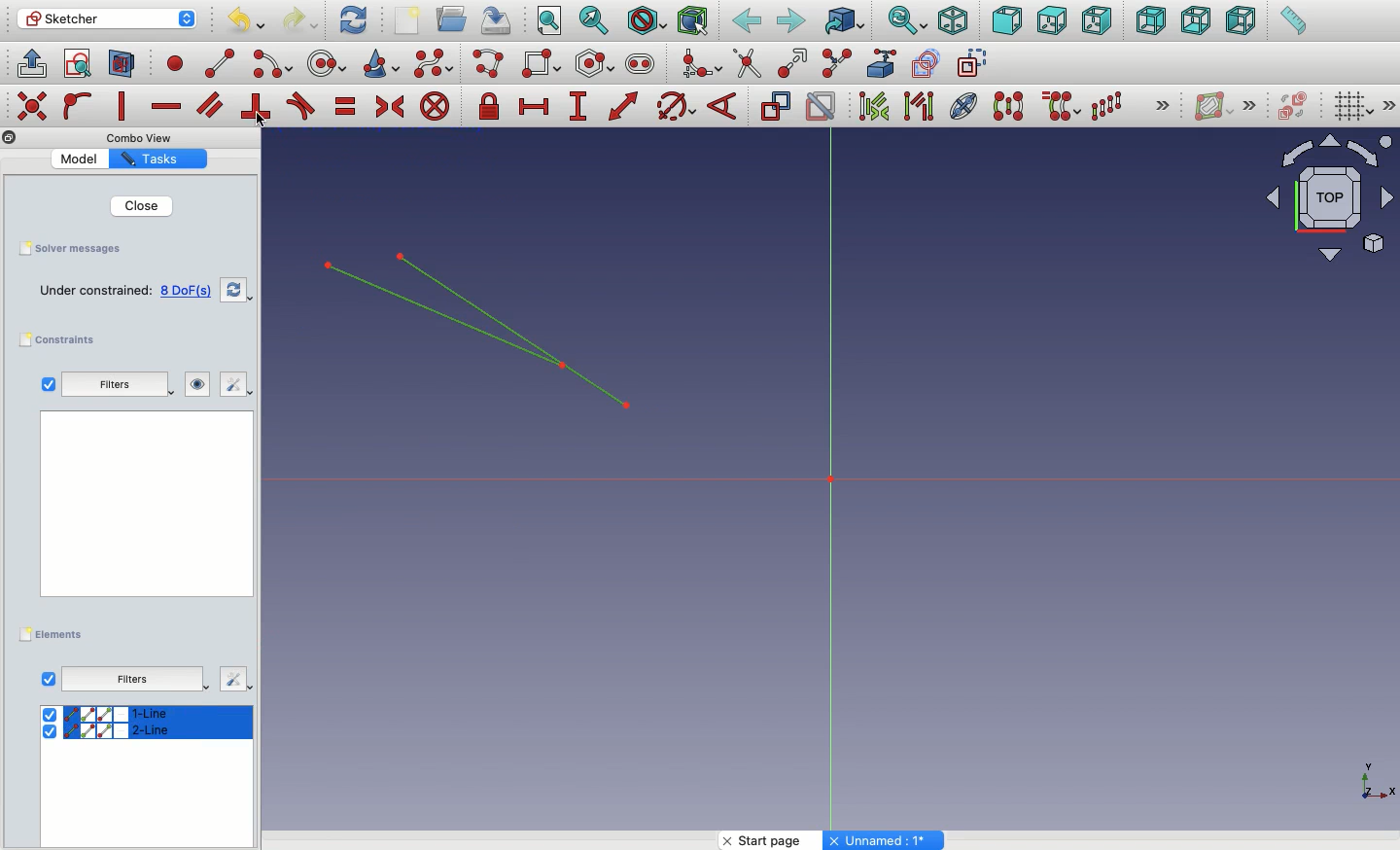 This screenshot has height=850, width=1400. What do you see at coordinates (1050, 22) in the screenshot?
I see `Top` at bounding box center [1050, 22].